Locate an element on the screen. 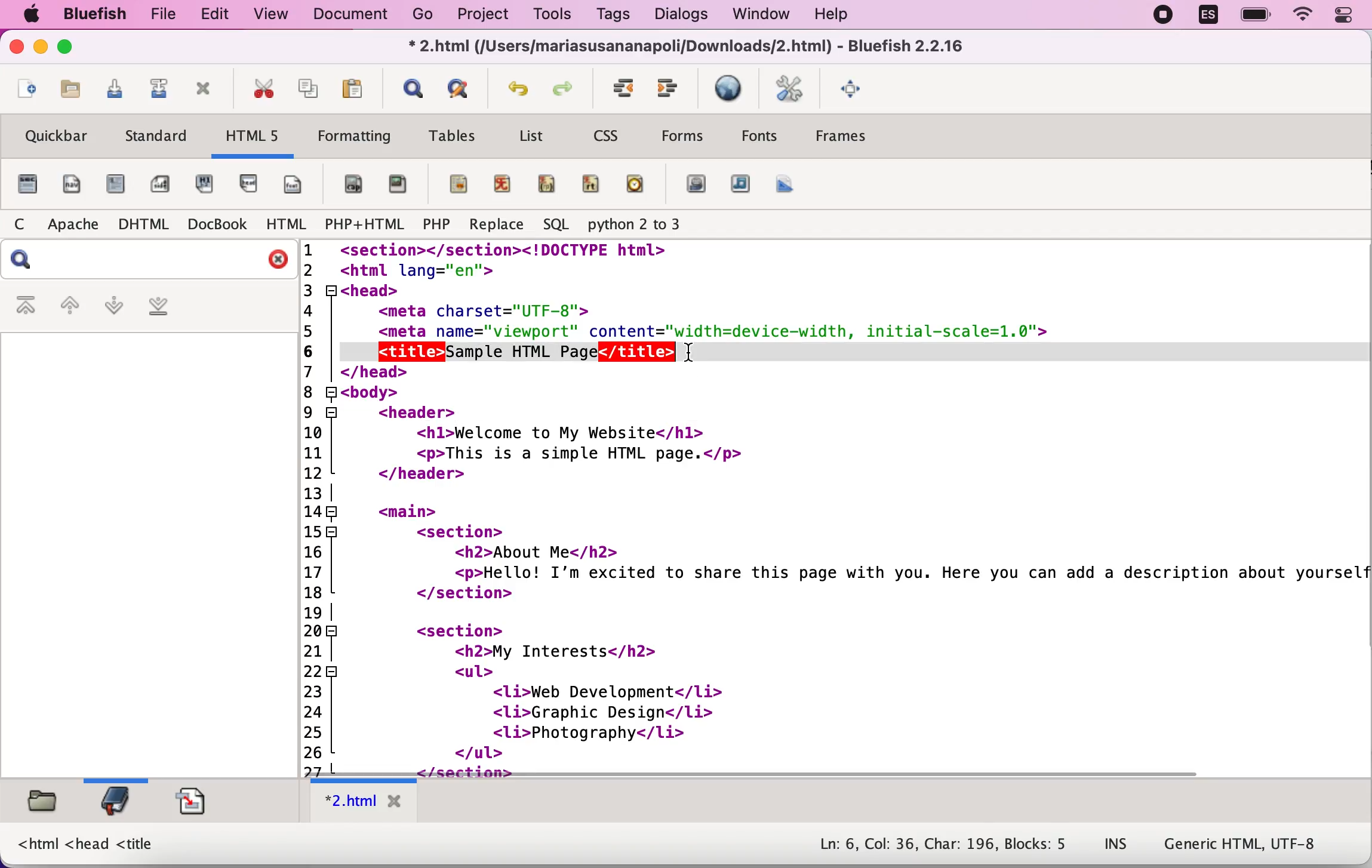 Image resolution: width=1372 pixels, height=868 pixels. filebrowser is located at coordinates (41, 805).